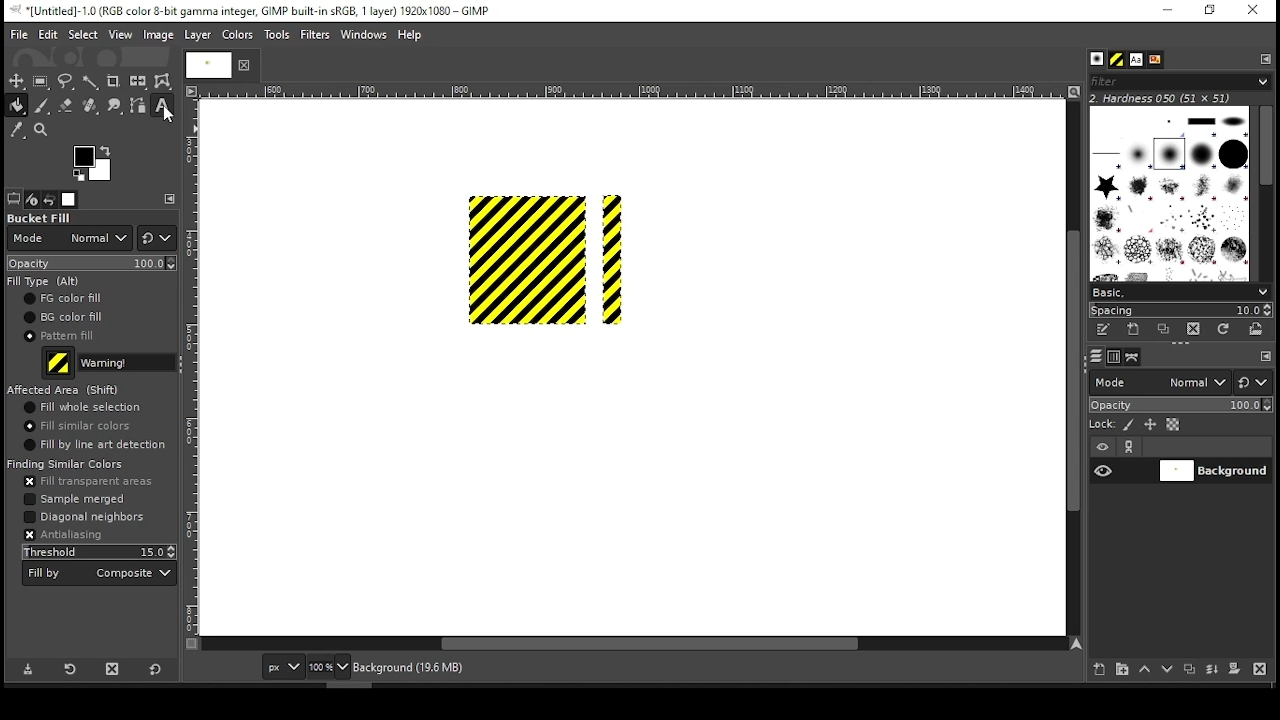  Describe the element at coordinates (1097, 60) in the screenshot. I see `brushes` at that location.